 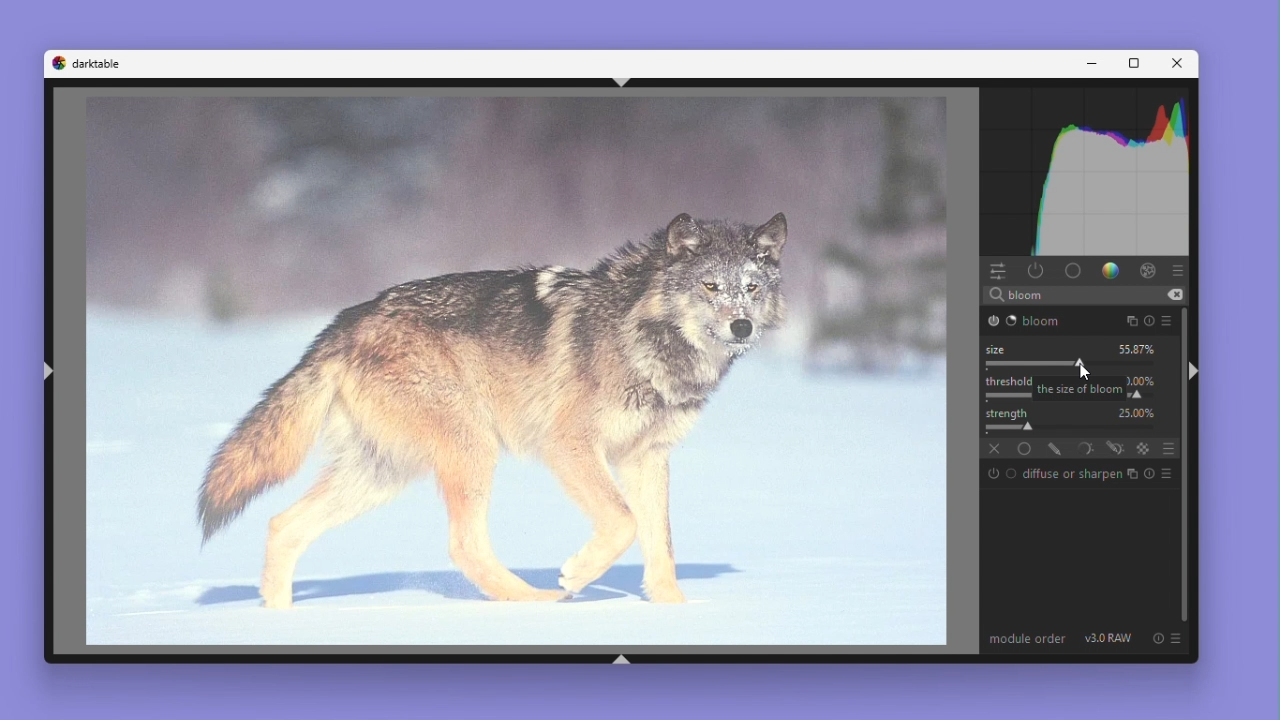 I want to click on Raster  mask, so click(x=1145, y=449).